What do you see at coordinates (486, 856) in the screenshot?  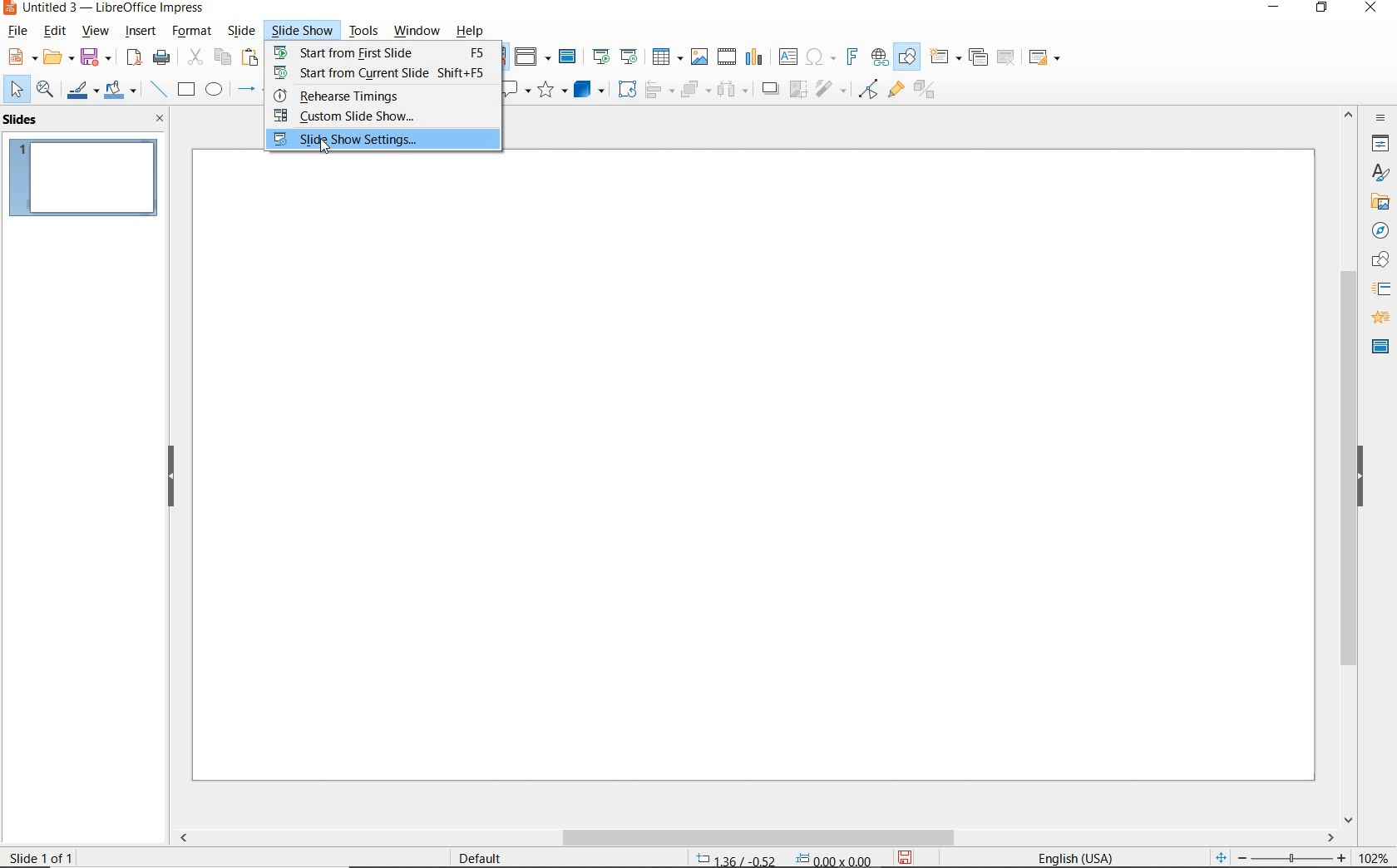 I see `DEFAULT` at bounding box center [486, 856].